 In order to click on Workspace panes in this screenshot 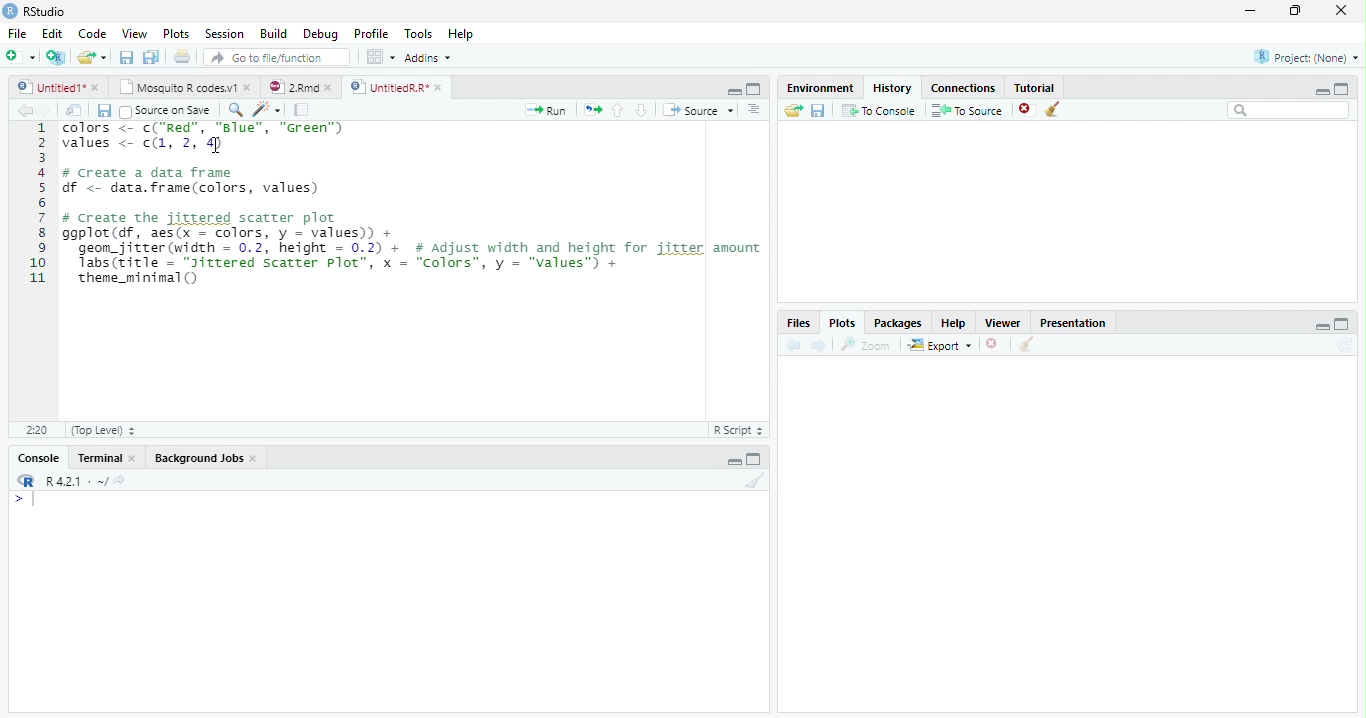, I will do `click(381, 58)`.